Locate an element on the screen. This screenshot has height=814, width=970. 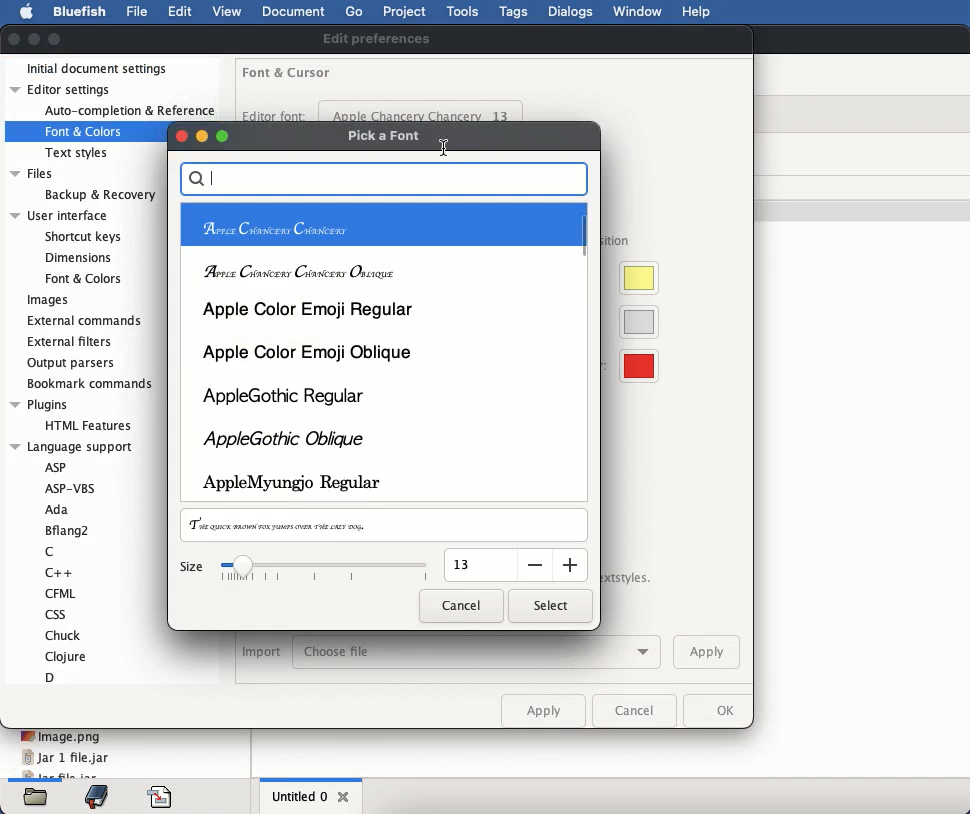
plugins  is located at coordinates (76, 415).